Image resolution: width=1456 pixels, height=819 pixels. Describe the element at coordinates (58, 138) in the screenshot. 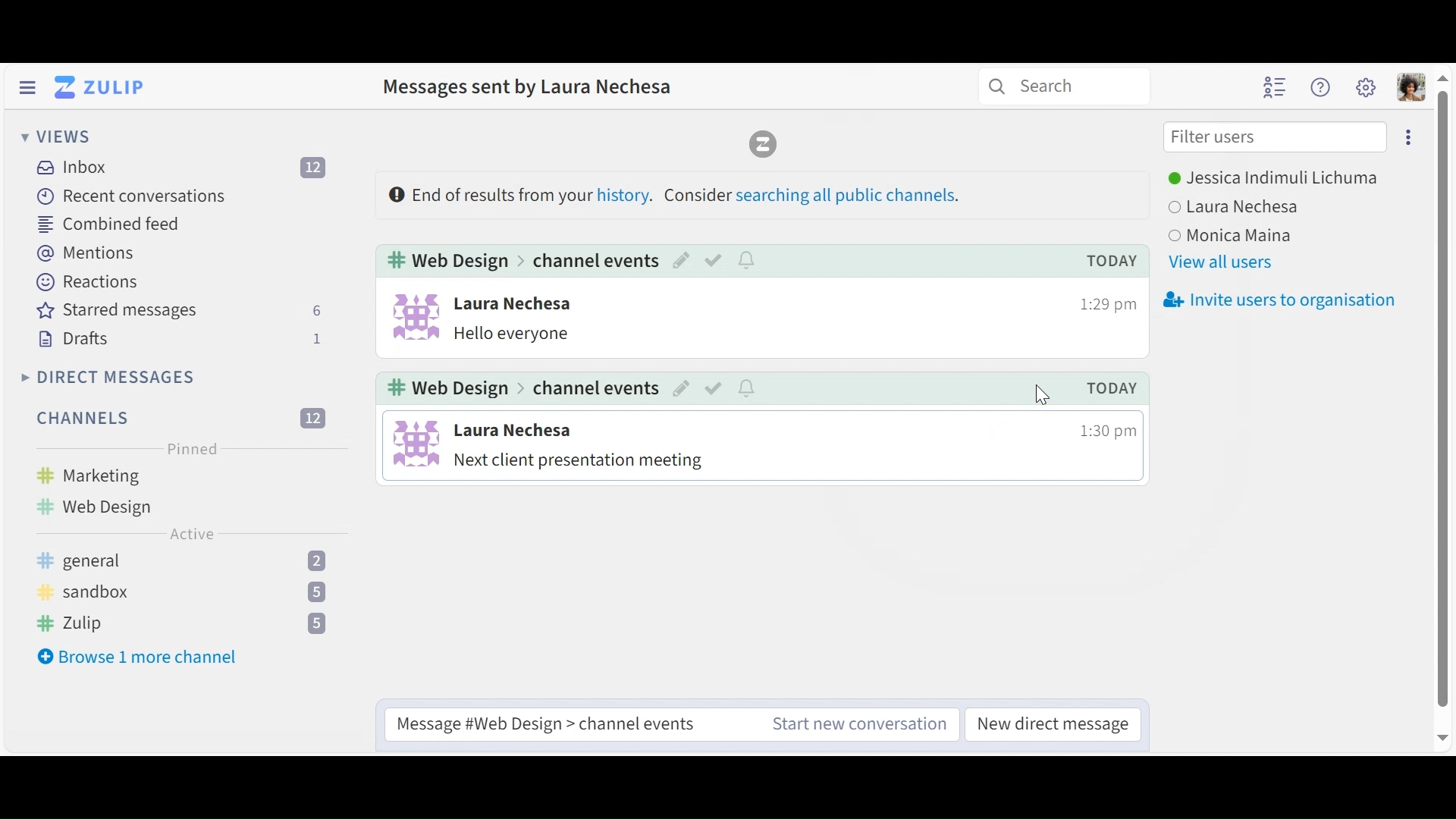

I see `Views` at that location.